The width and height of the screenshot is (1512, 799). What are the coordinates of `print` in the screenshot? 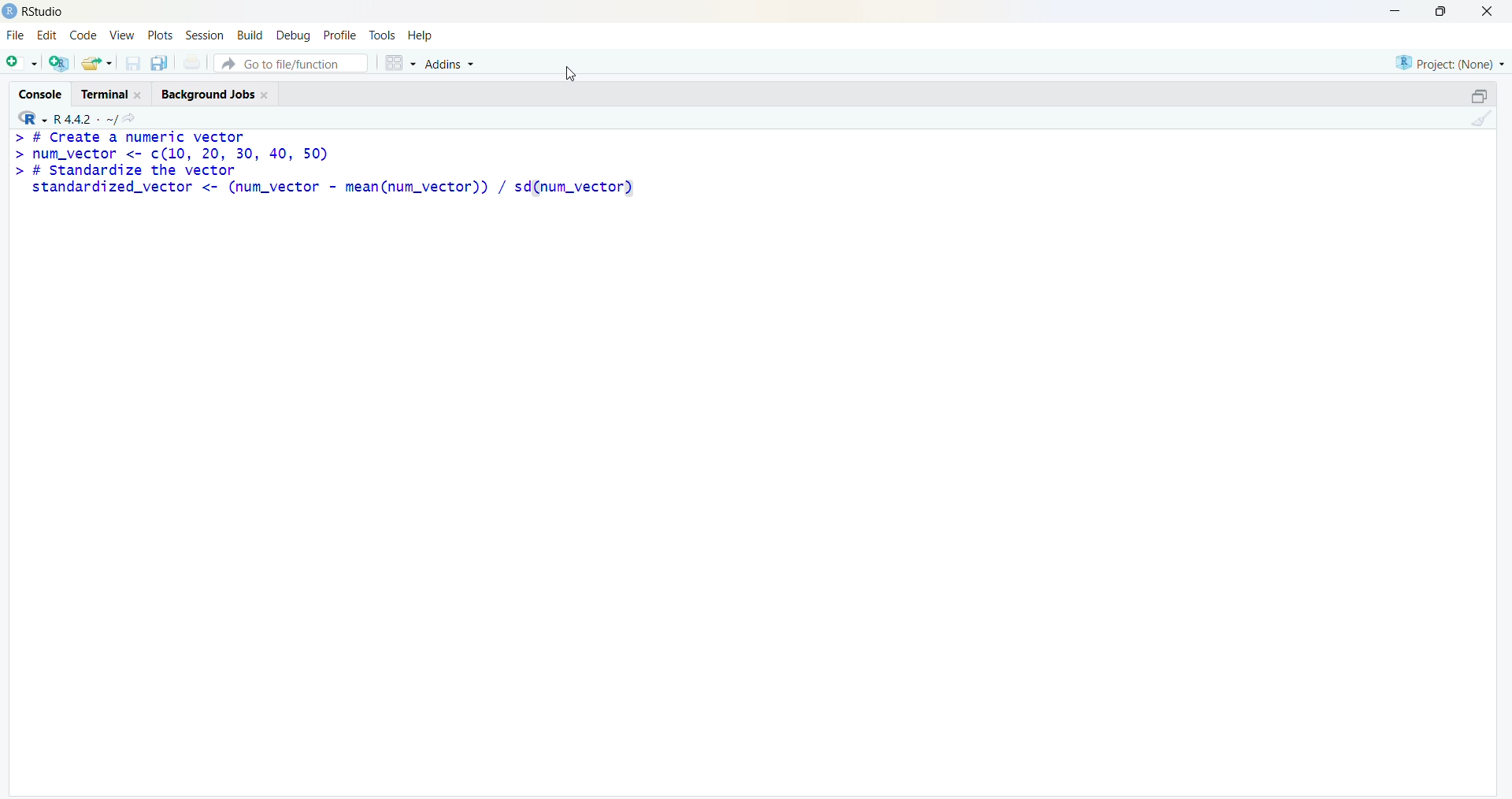 It's located at (192, 61).